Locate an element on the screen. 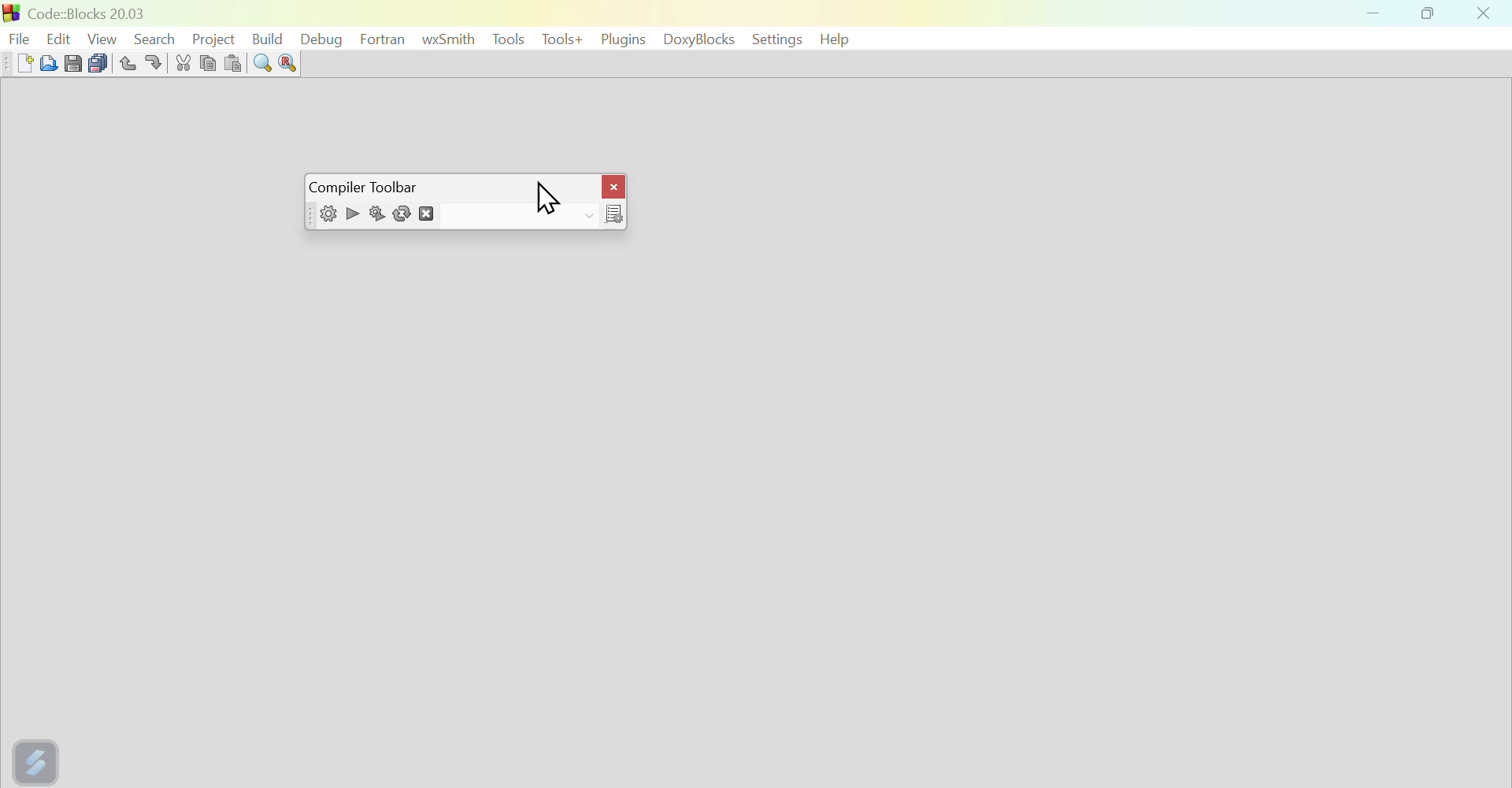 This screenshot has width=1512, height=788. Doxyblocks is located at coordinates (699, 41).